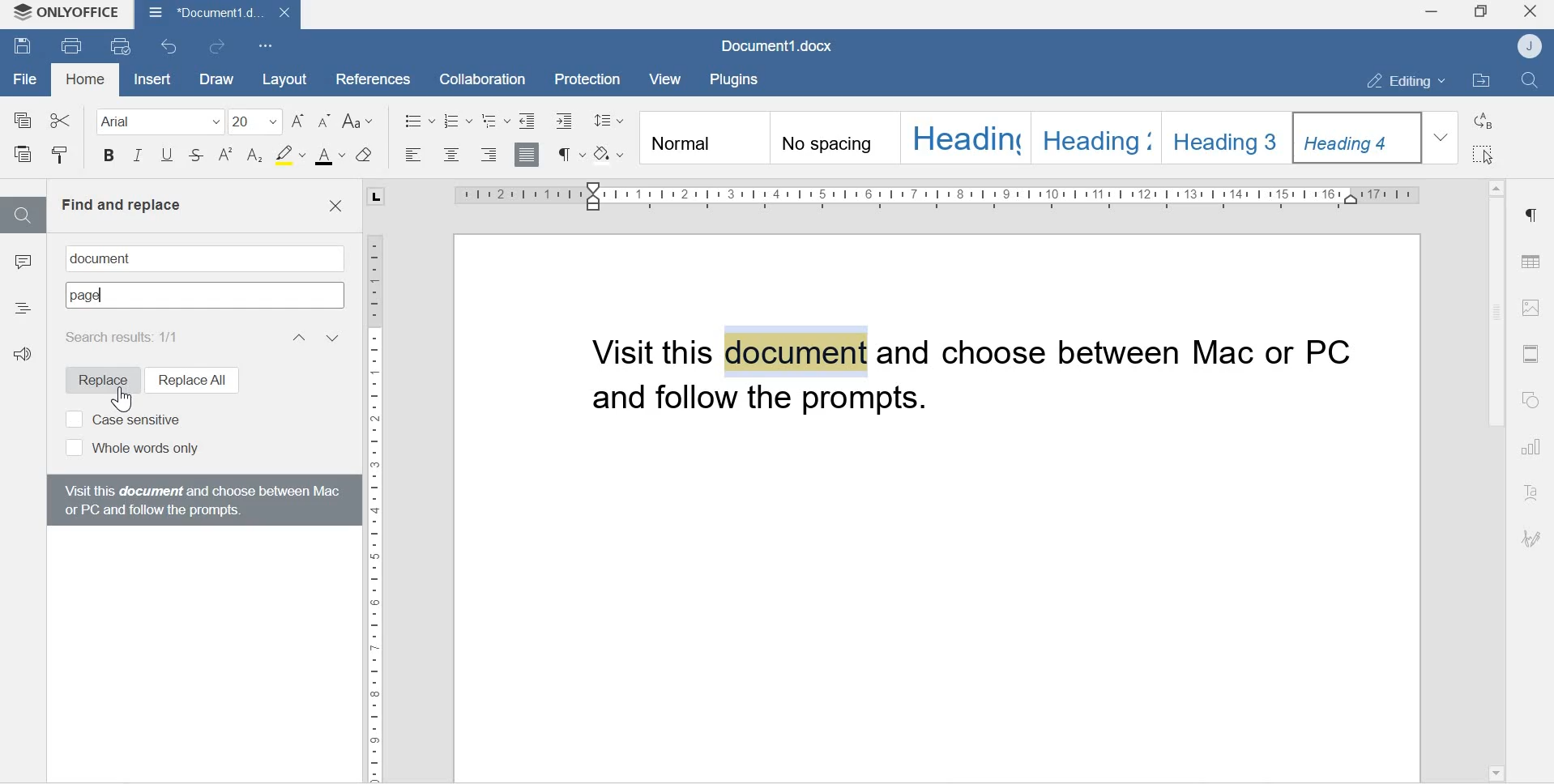 The height and width of the screenshot is (784, 1554). Describe the element at coordinates (1531, 307) in the screenshot. I see `Image` at that location.